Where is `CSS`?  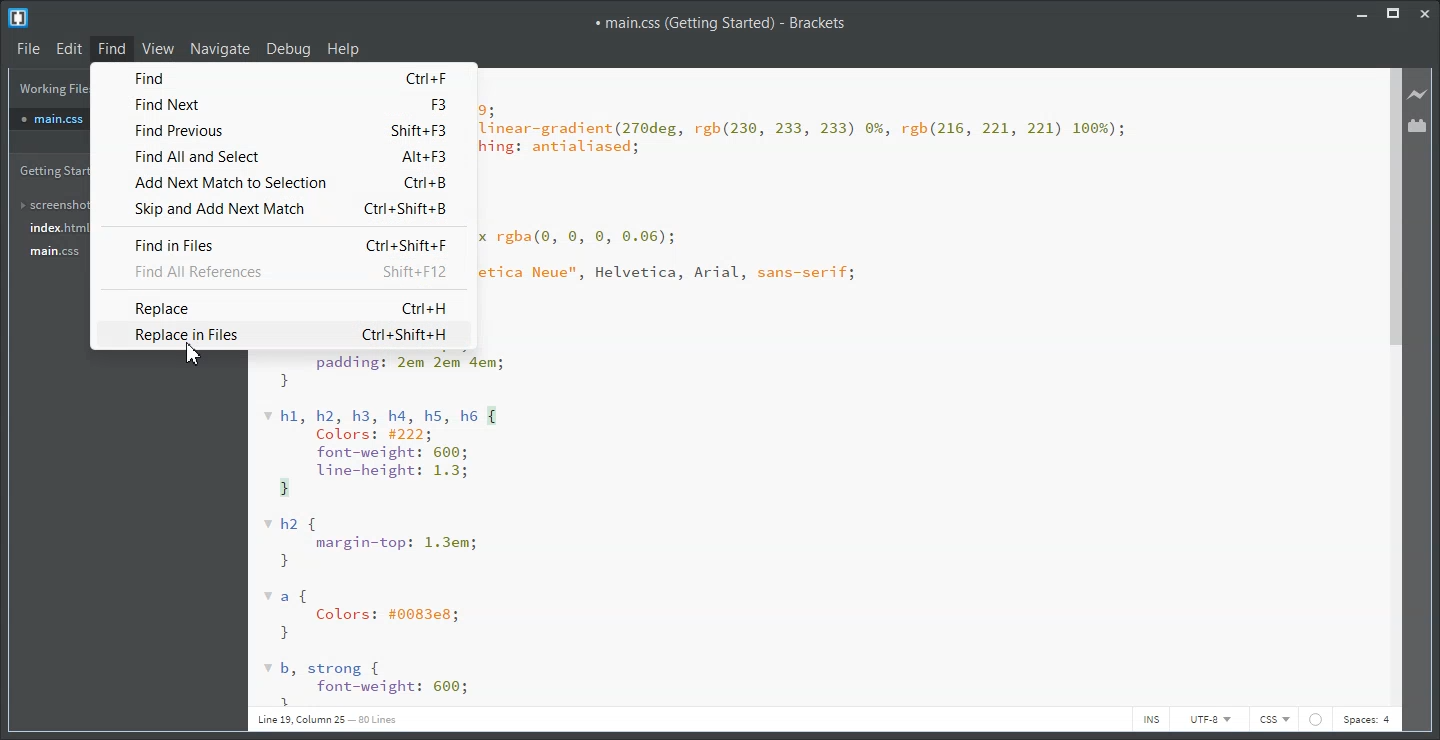
CSS is located at coordinates (1274, 720).